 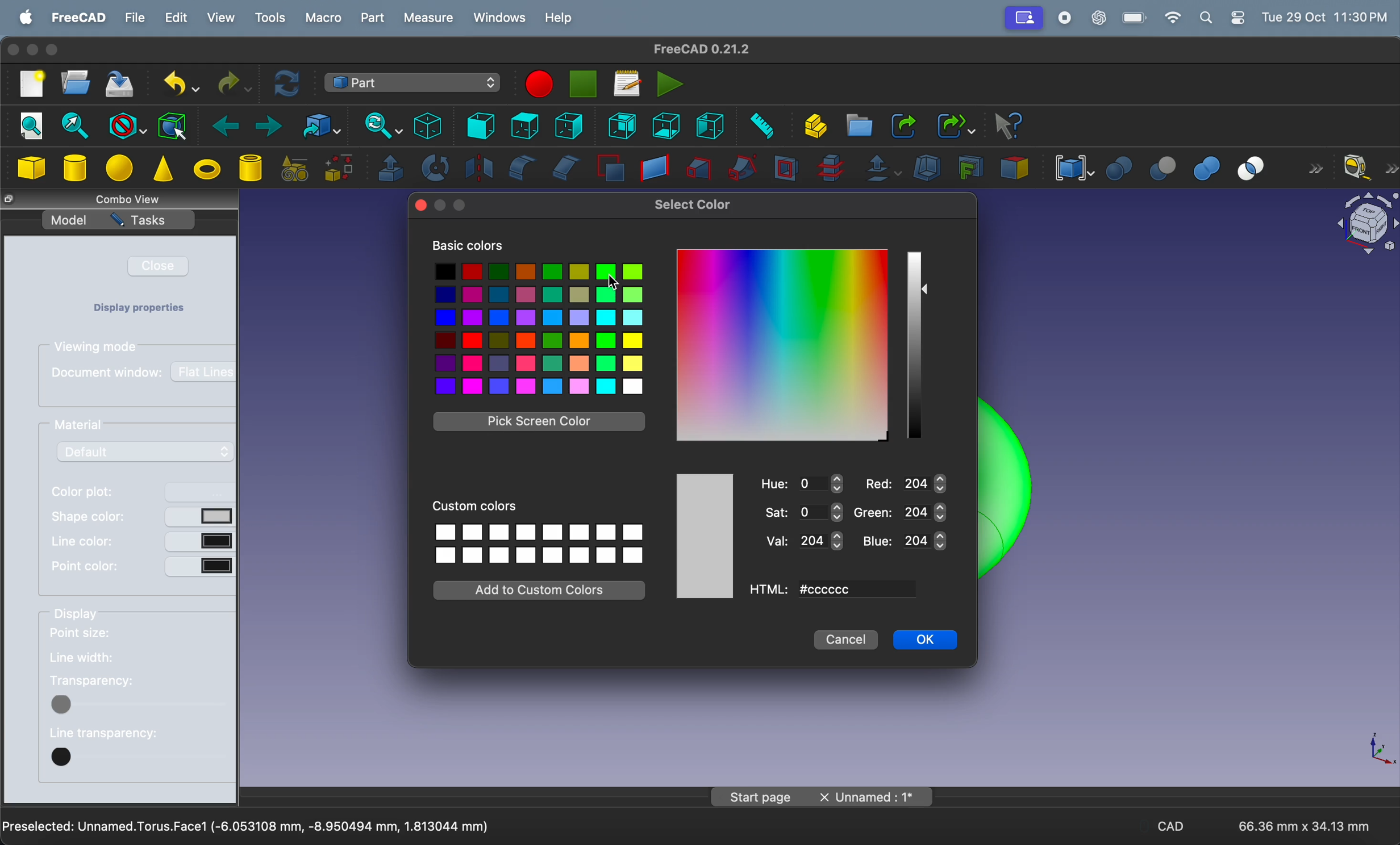 What do you see at coordinates (151, 309) in the screenshot?
I see `Display properties` at bounding box center [151, 309].